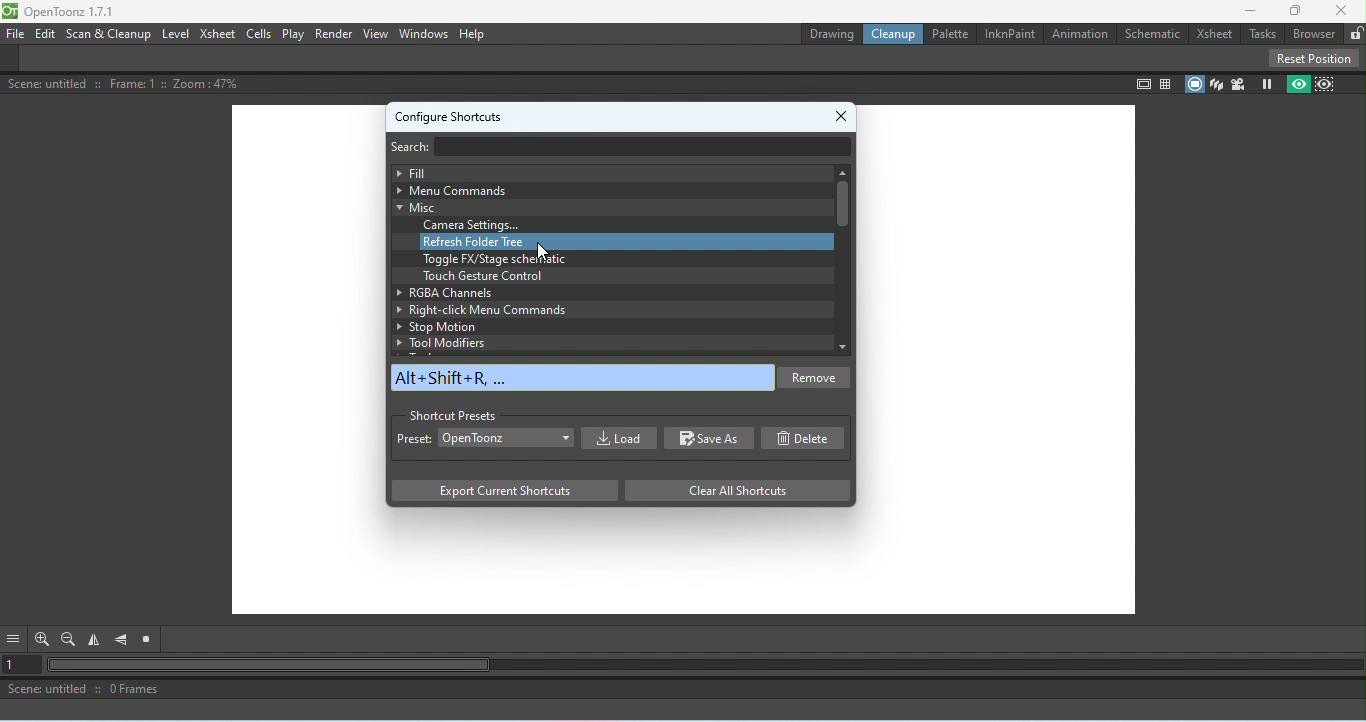  Describe the element at coordinates (710, 439) in the screenshot. I see `Save As` at that location.